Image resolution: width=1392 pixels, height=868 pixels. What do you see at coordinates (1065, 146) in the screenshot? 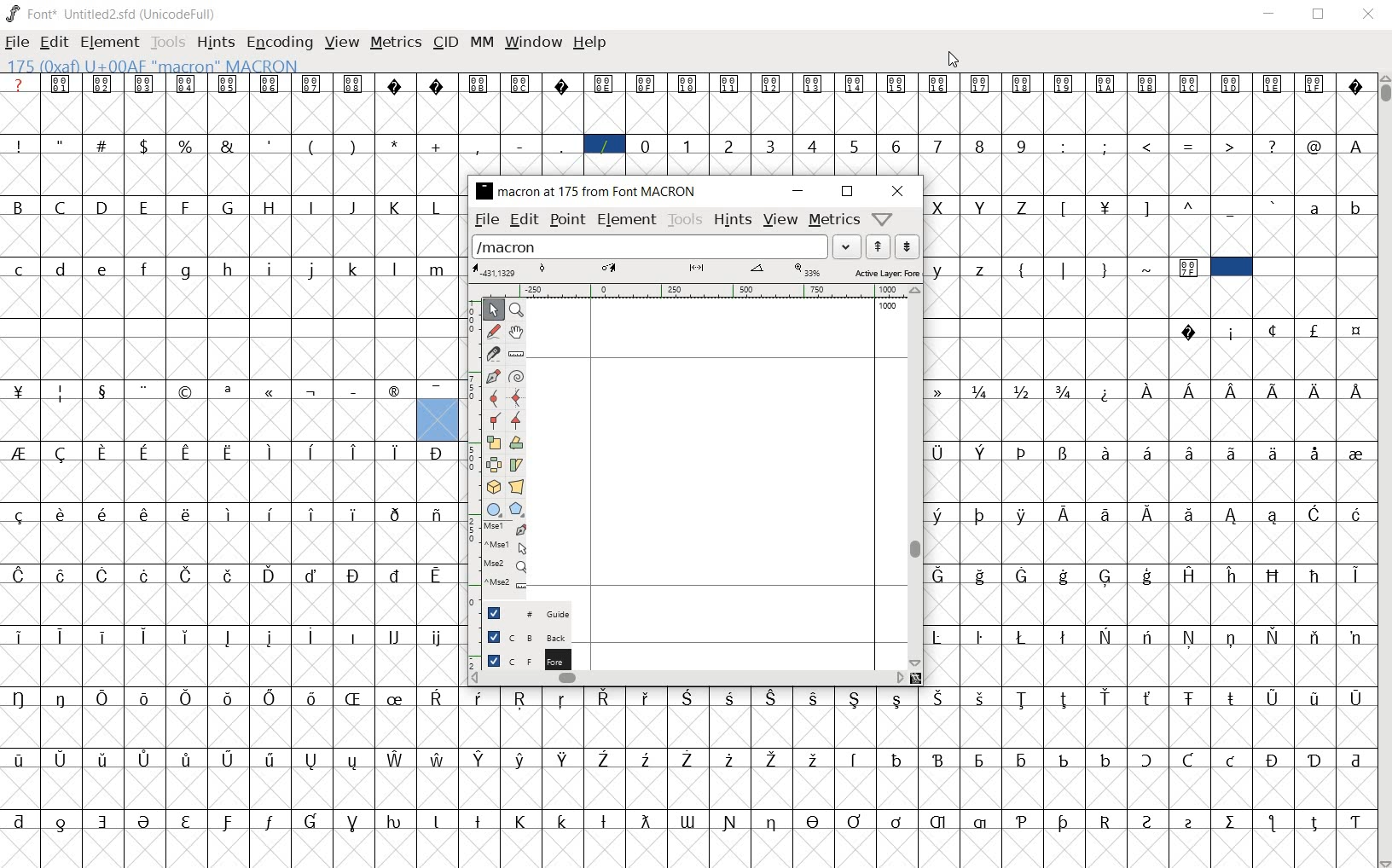
I see `:` at bounding box center [1065, 146].